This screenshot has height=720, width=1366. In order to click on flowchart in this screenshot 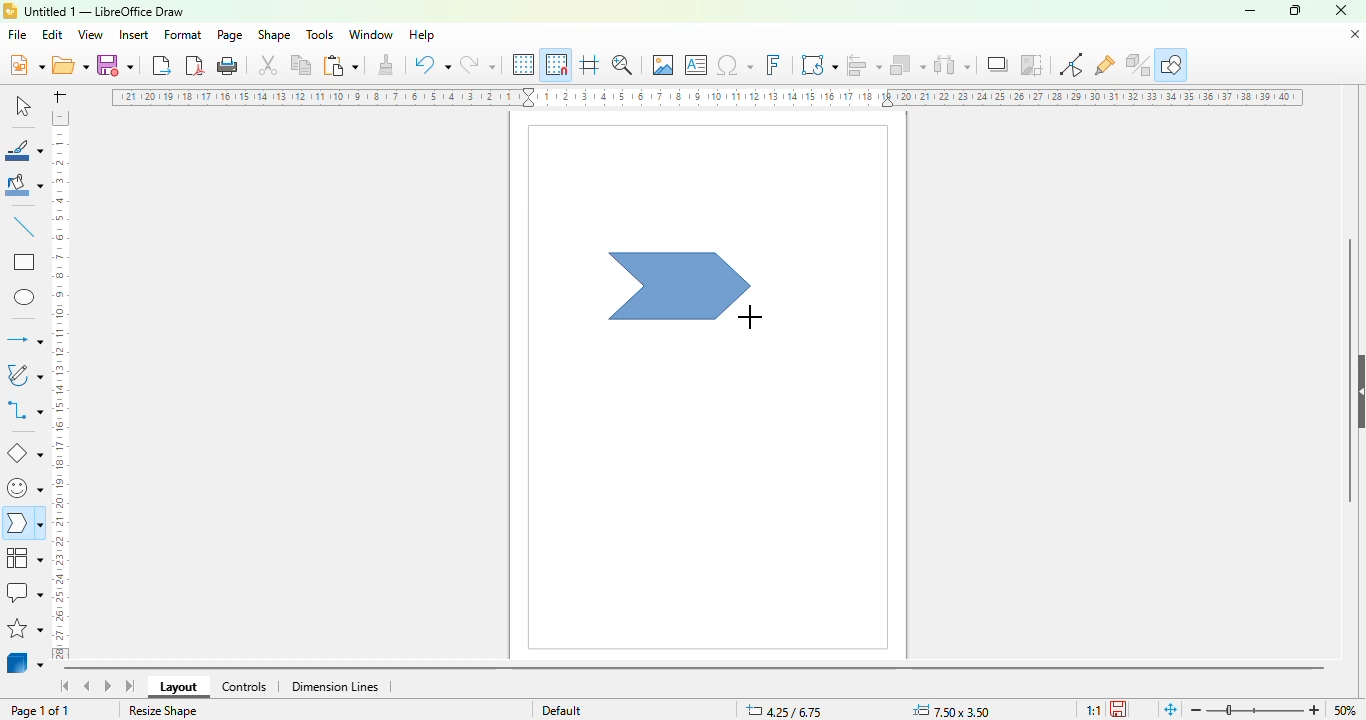, I will do `click(25, 558)`.